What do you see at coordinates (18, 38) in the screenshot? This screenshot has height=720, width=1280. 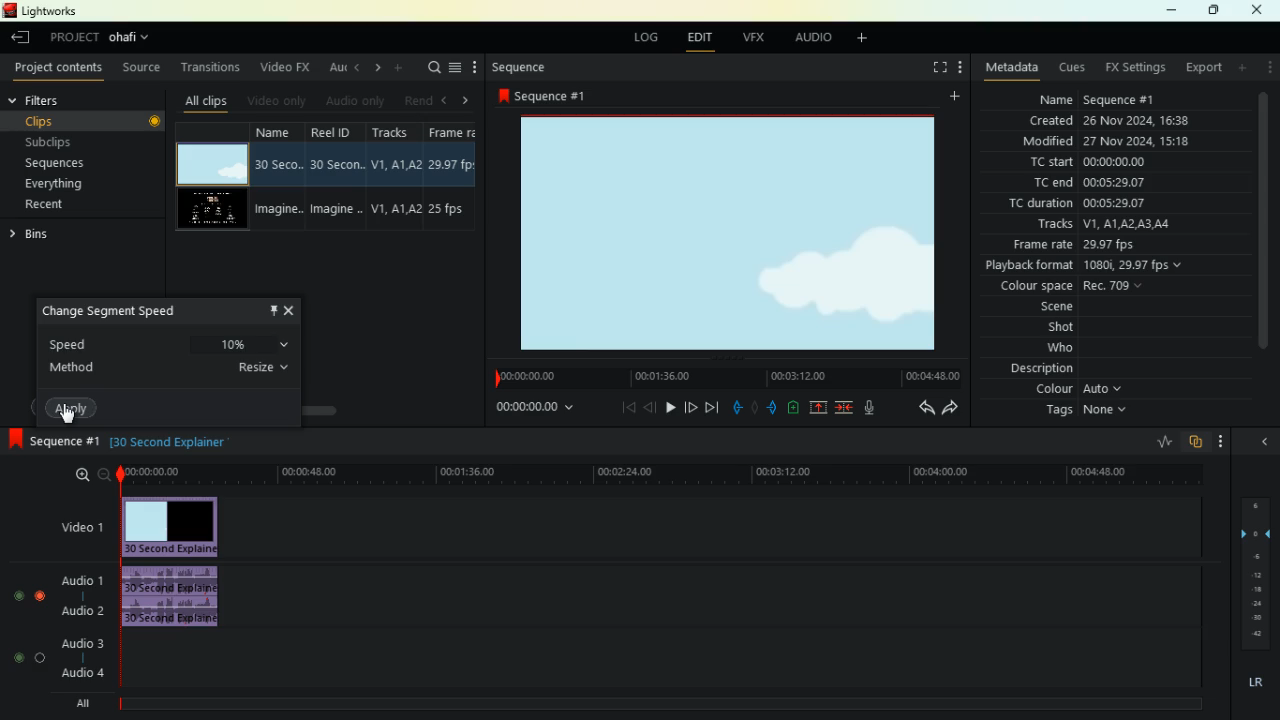 I see `back` at bounding box center [18, 38].